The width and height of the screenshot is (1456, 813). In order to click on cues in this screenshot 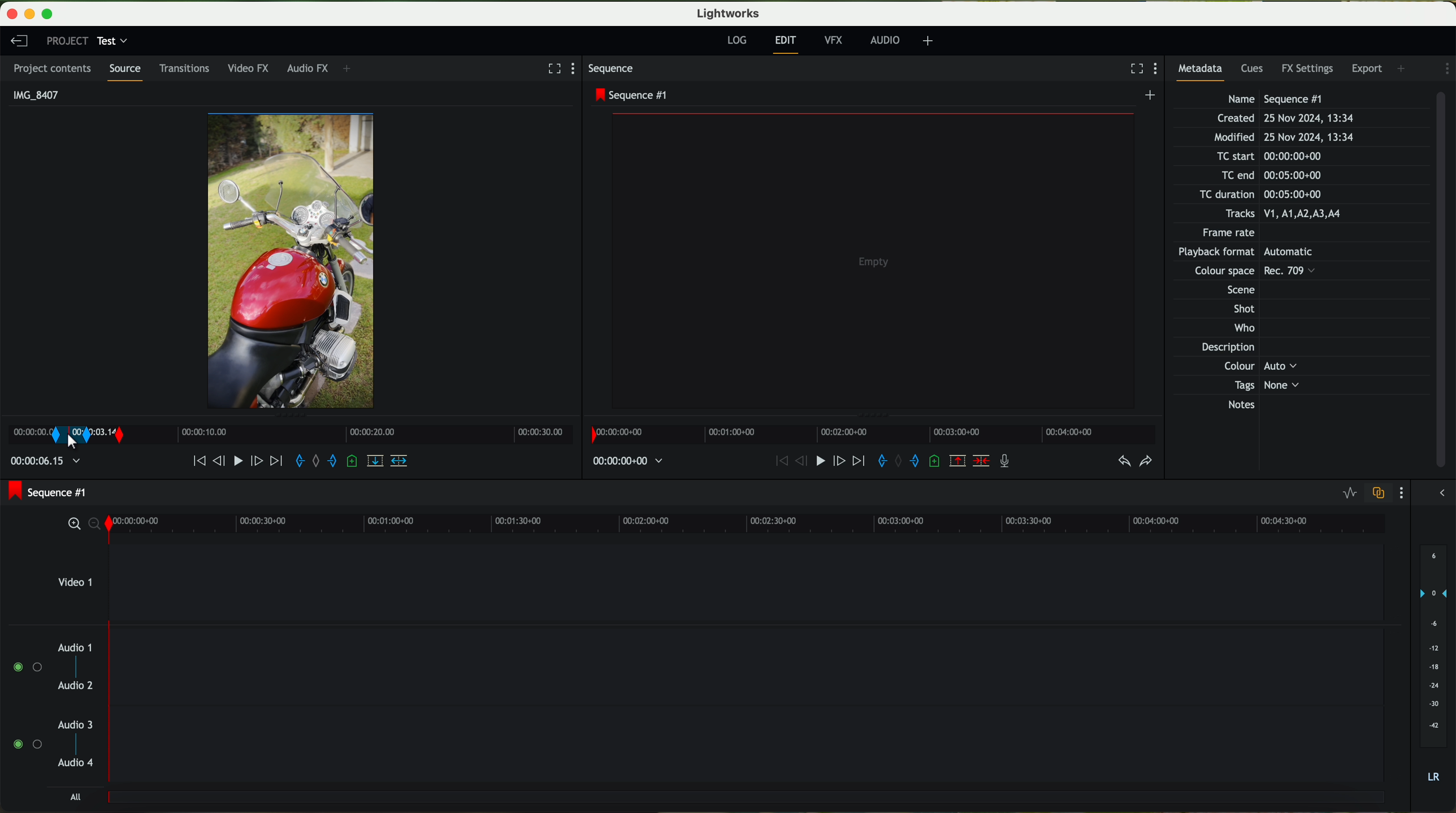, I will do `click(1254, 70)`.